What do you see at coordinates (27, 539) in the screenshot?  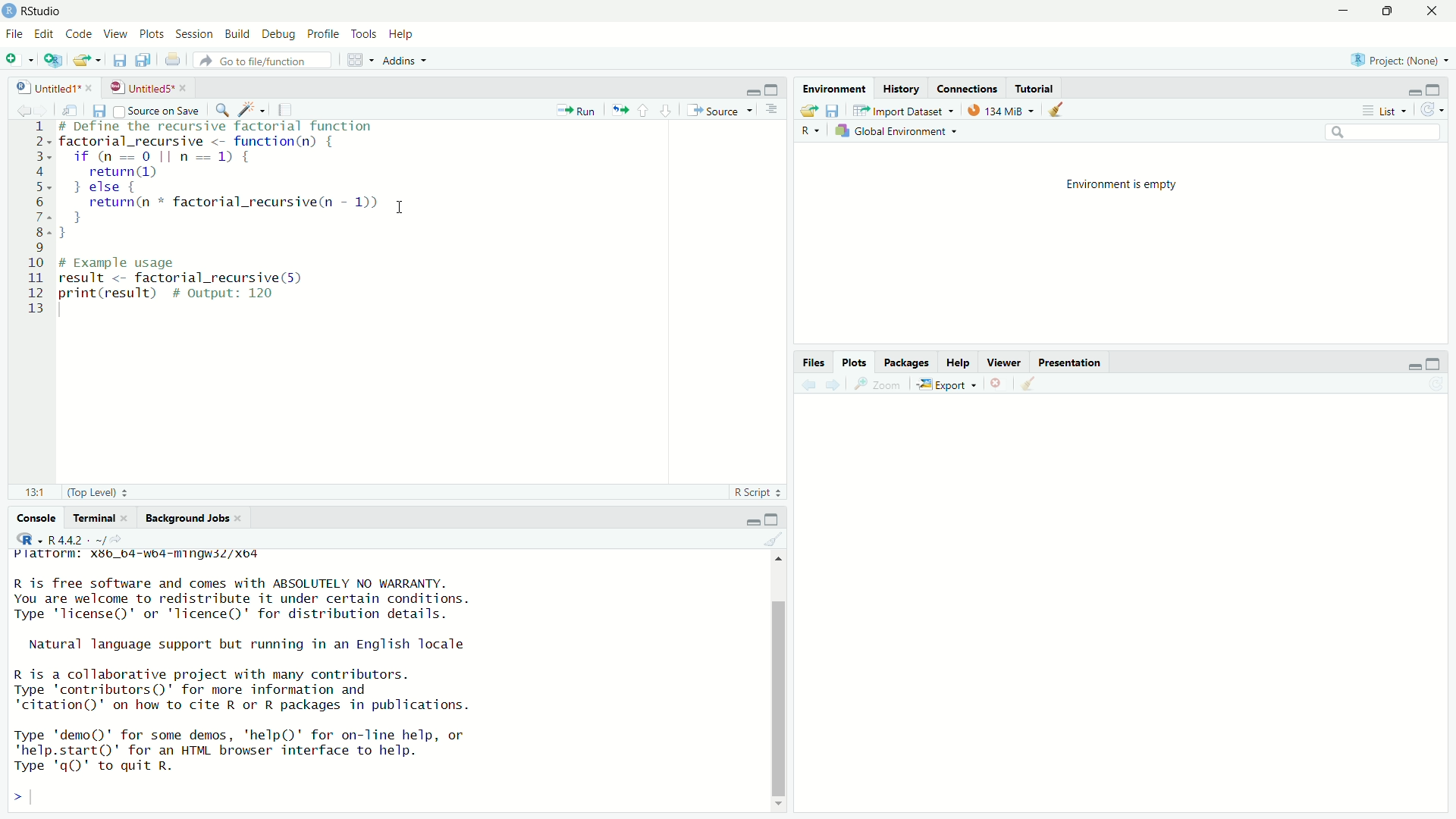 I see `R` at bounding box center [27, 539].